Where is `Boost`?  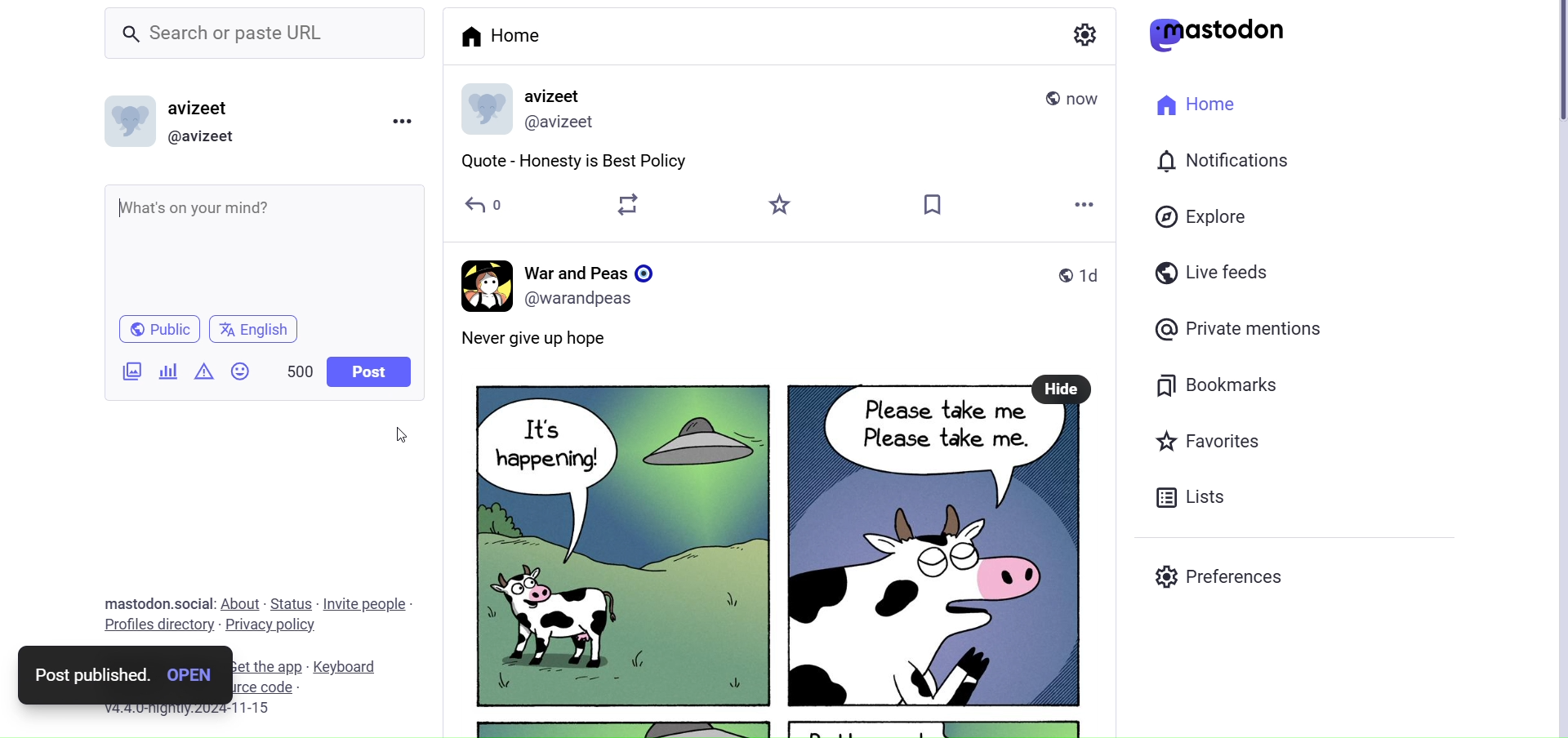
Boost is located at coordinates (627, 204).